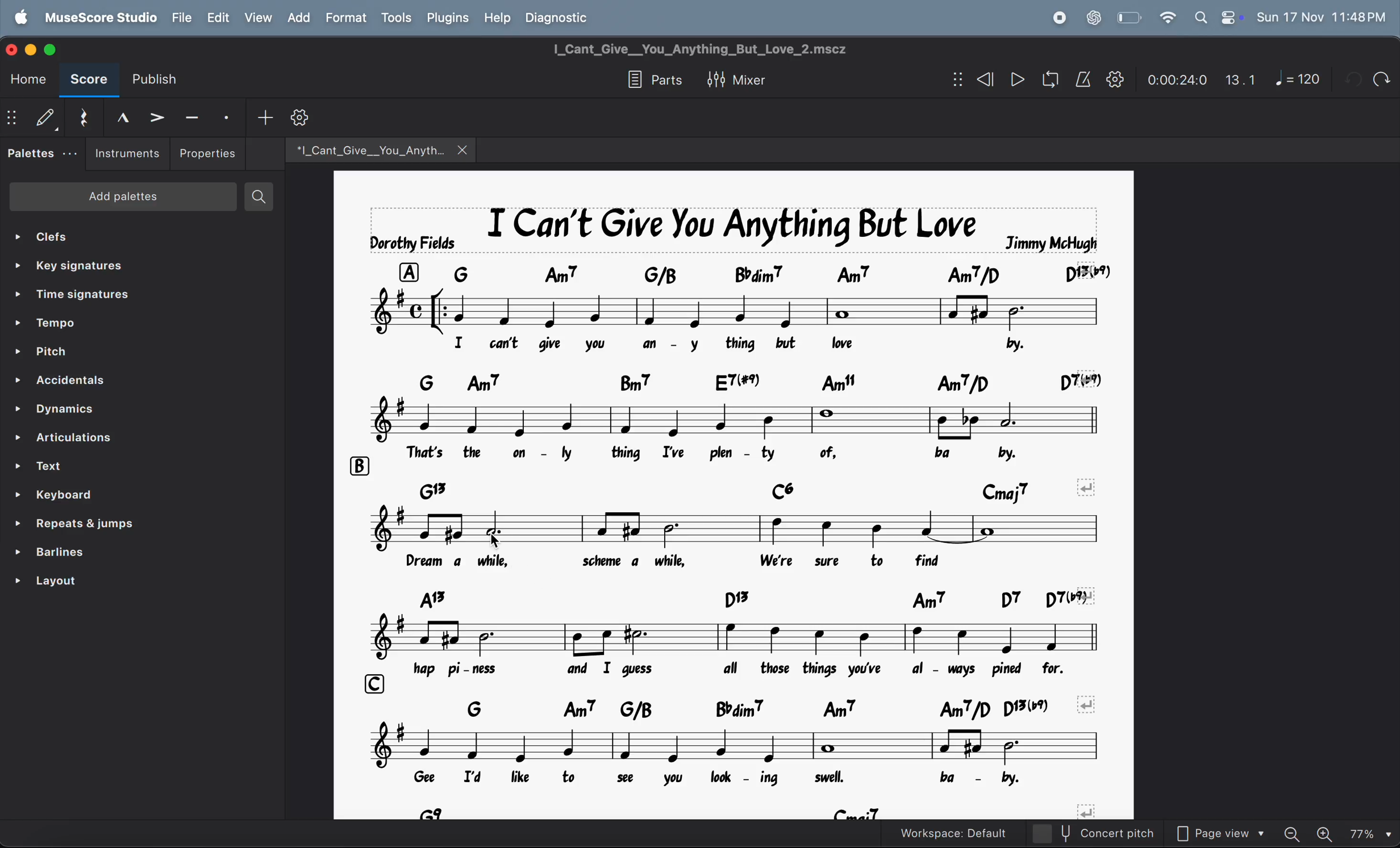  Describe the element at coordinates (43, 152) in the screenshot. I see `palettes` at that location.